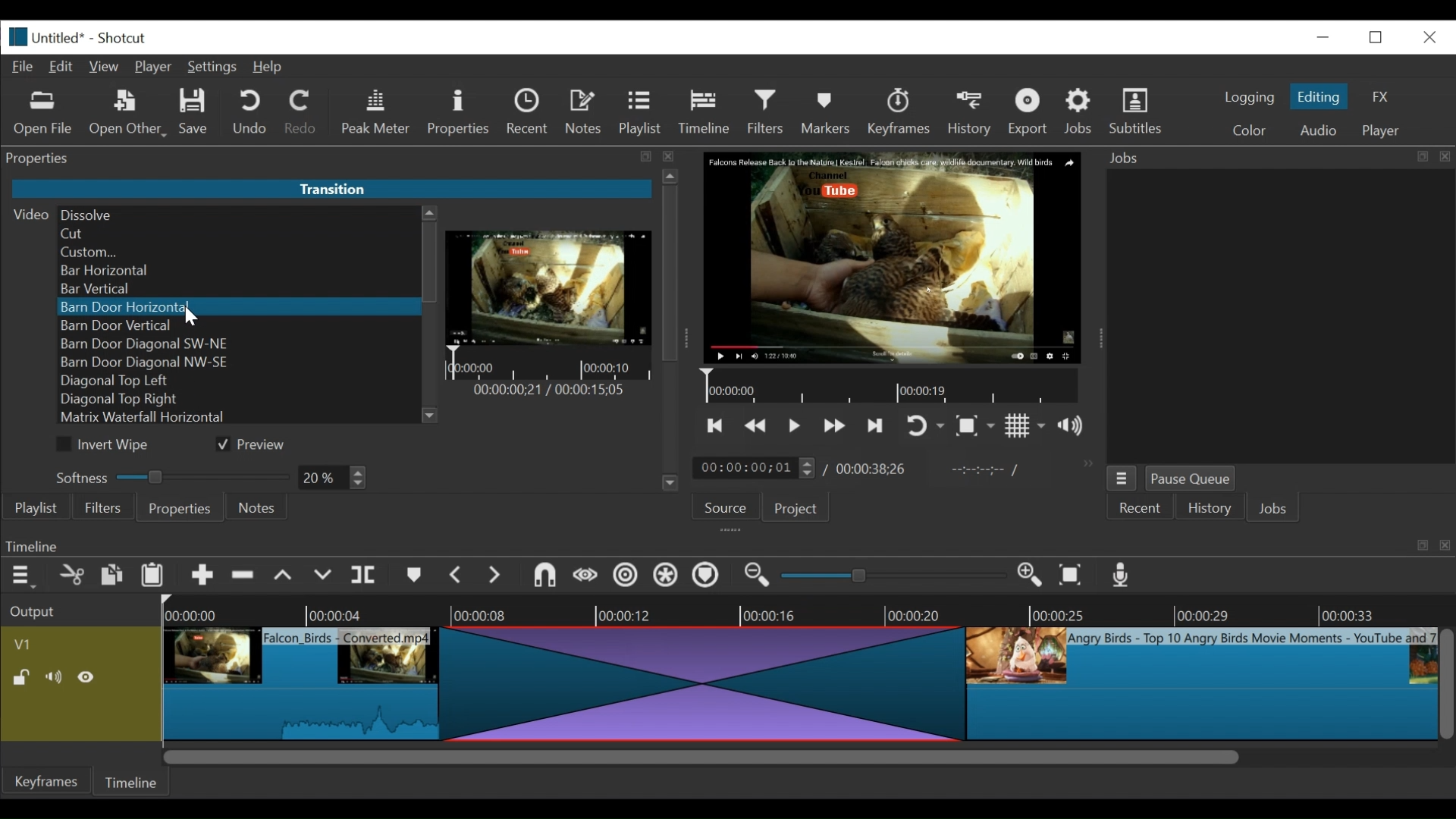 Image resolution: width=1456 pixels, height=819 pixels. I want to click on Player, so click(157, 68).